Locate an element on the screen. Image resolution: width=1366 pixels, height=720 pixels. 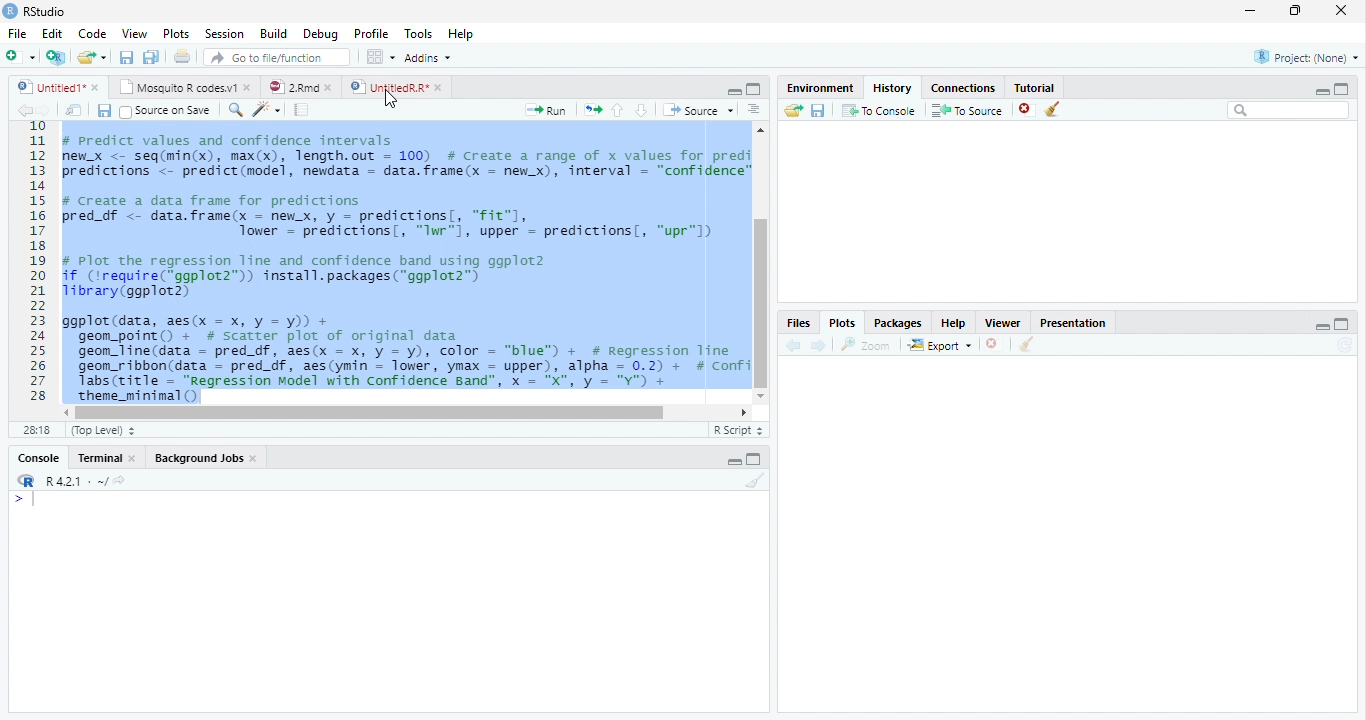
Scrollbar is located at coordinates (406, 412).